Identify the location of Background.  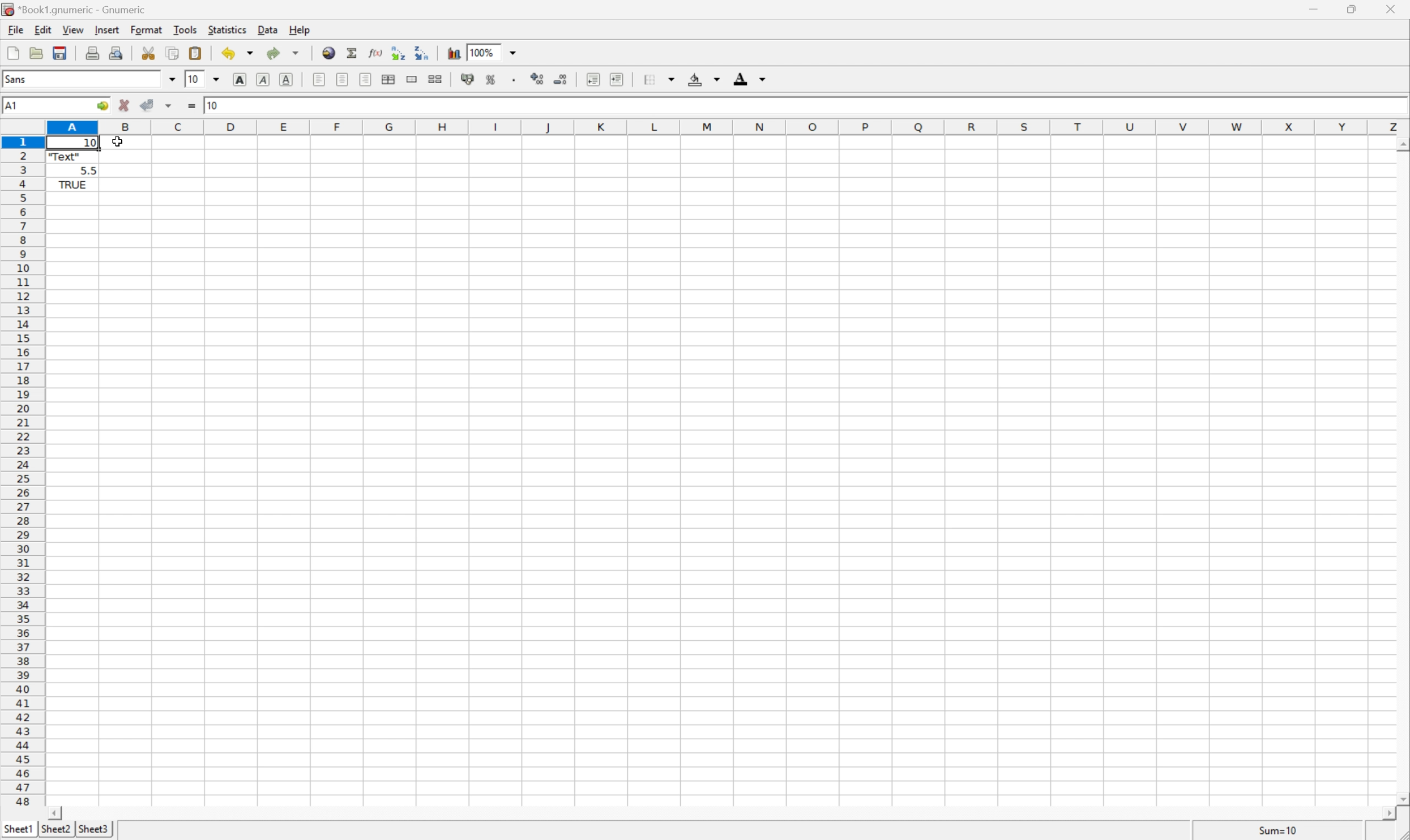
(703, 78).